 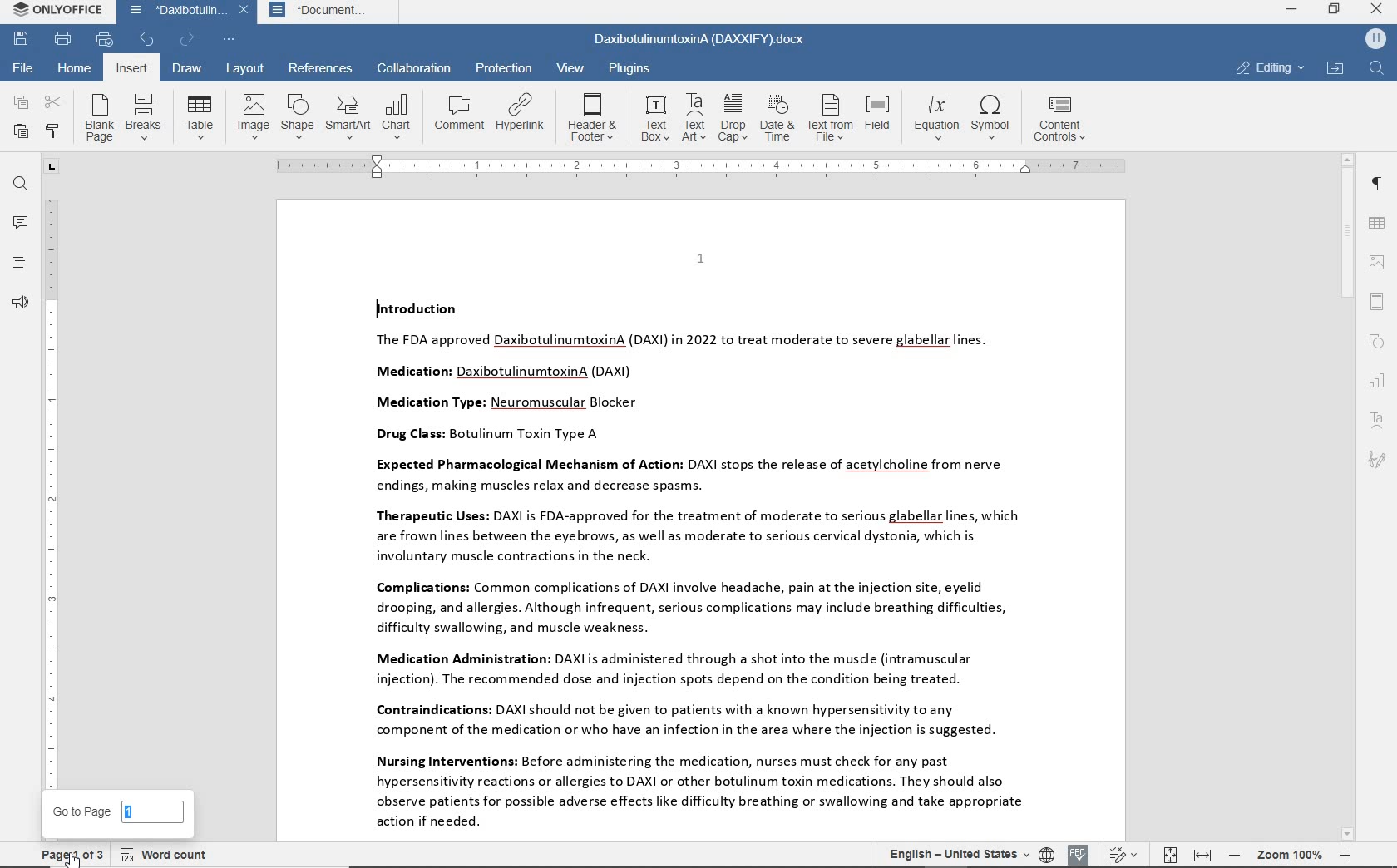 I want to click on image, so click(x=252, y=116).